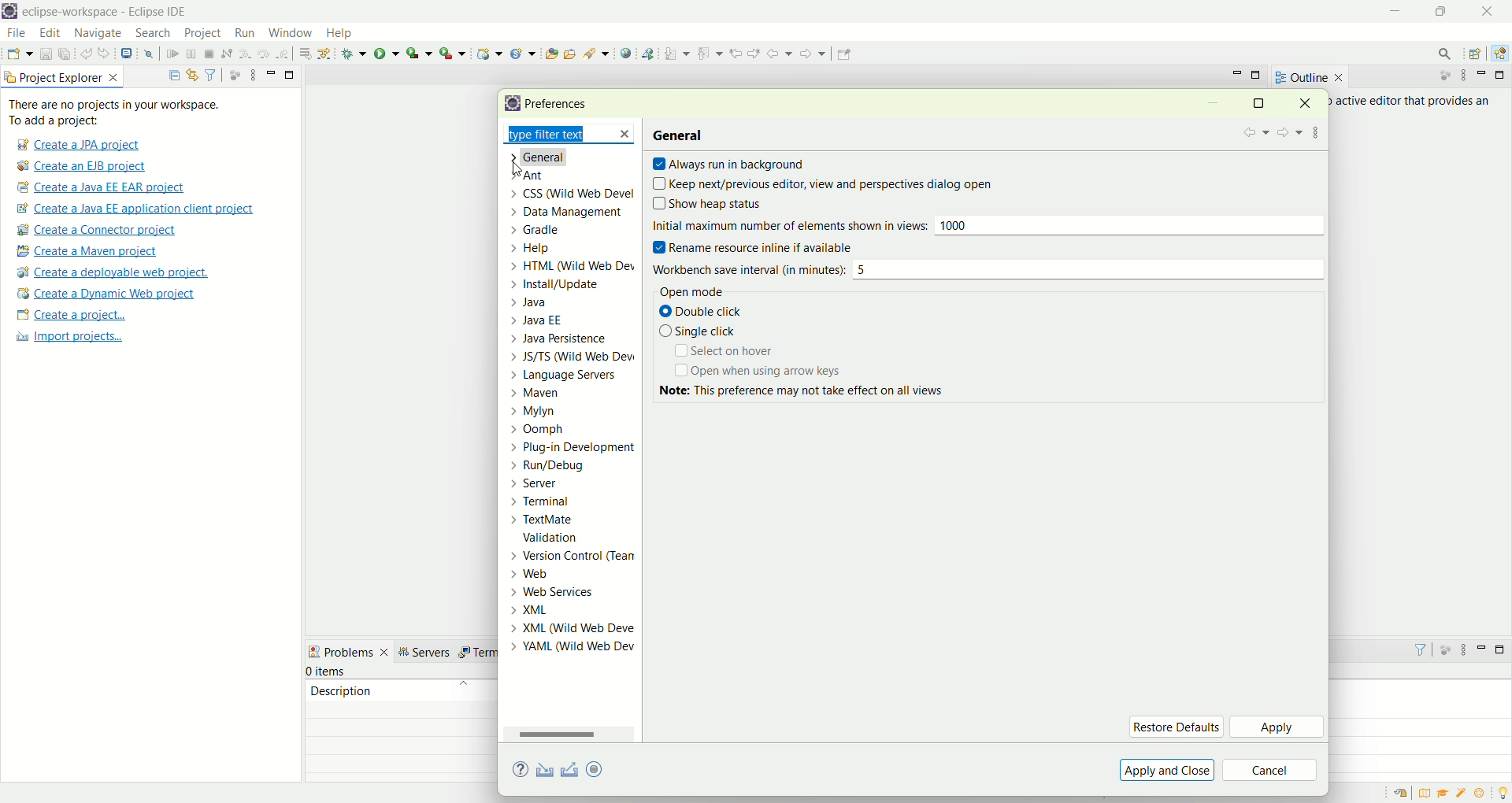 This screenshot has width=1512, height=803. I want to click on terminal, so click(571, 501).